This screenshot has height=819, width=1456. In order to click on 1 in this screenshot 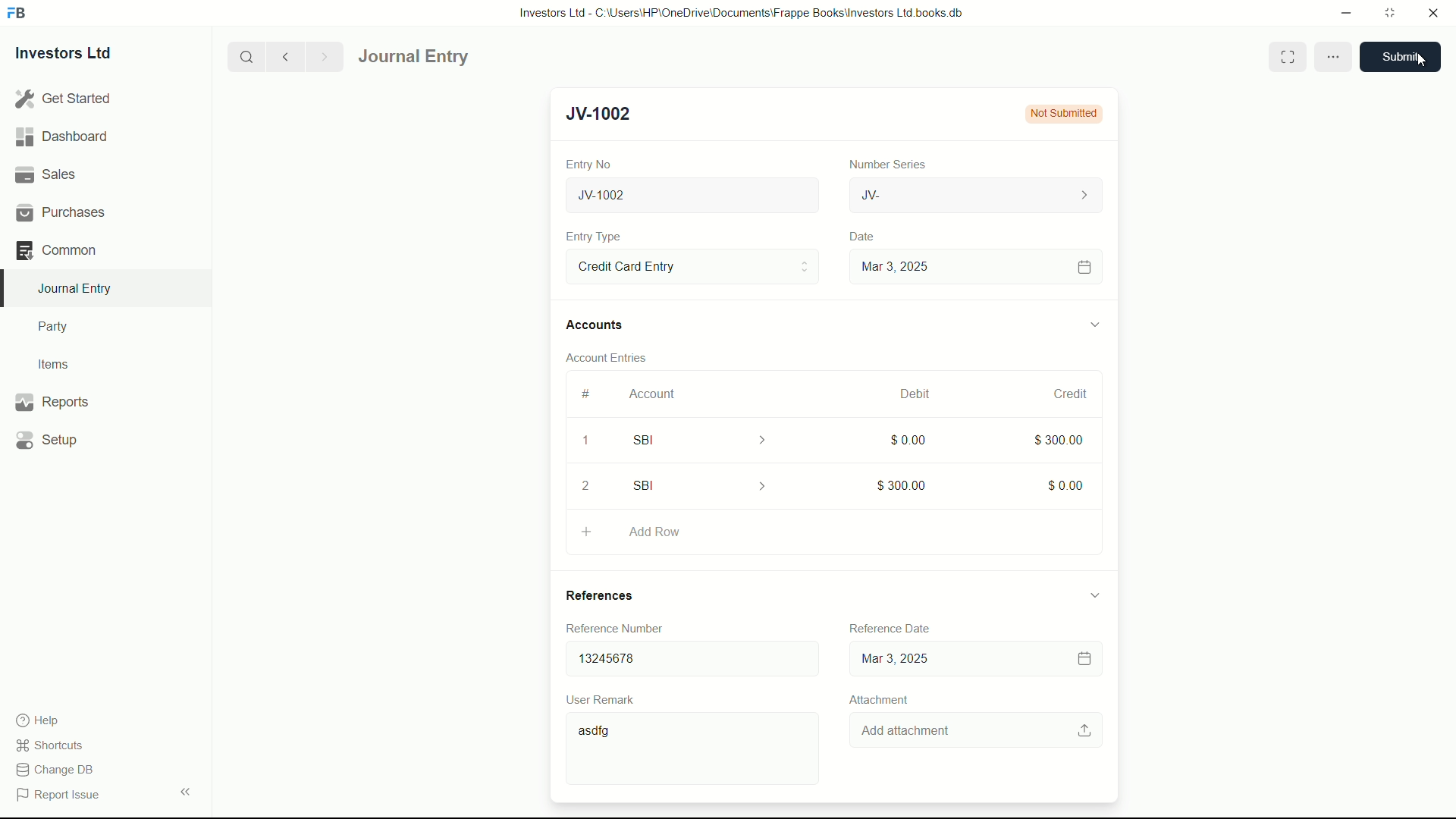, I will do `click(585, 443)`.